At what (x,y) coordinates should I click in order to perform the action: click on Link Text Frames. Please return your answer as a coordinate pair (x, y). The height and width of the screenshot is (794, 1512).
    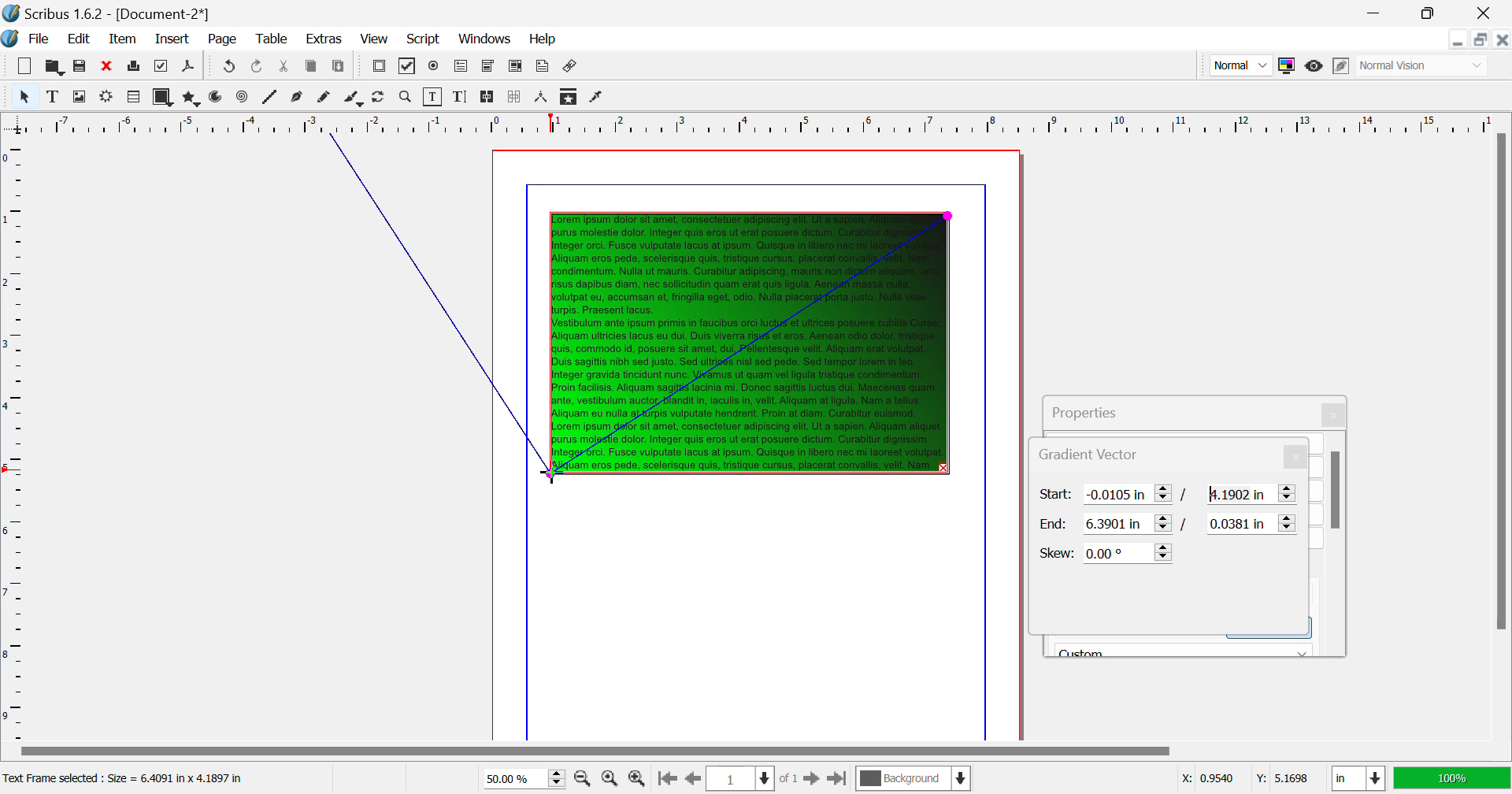
    Looking at the image, I should click on (488, 98).